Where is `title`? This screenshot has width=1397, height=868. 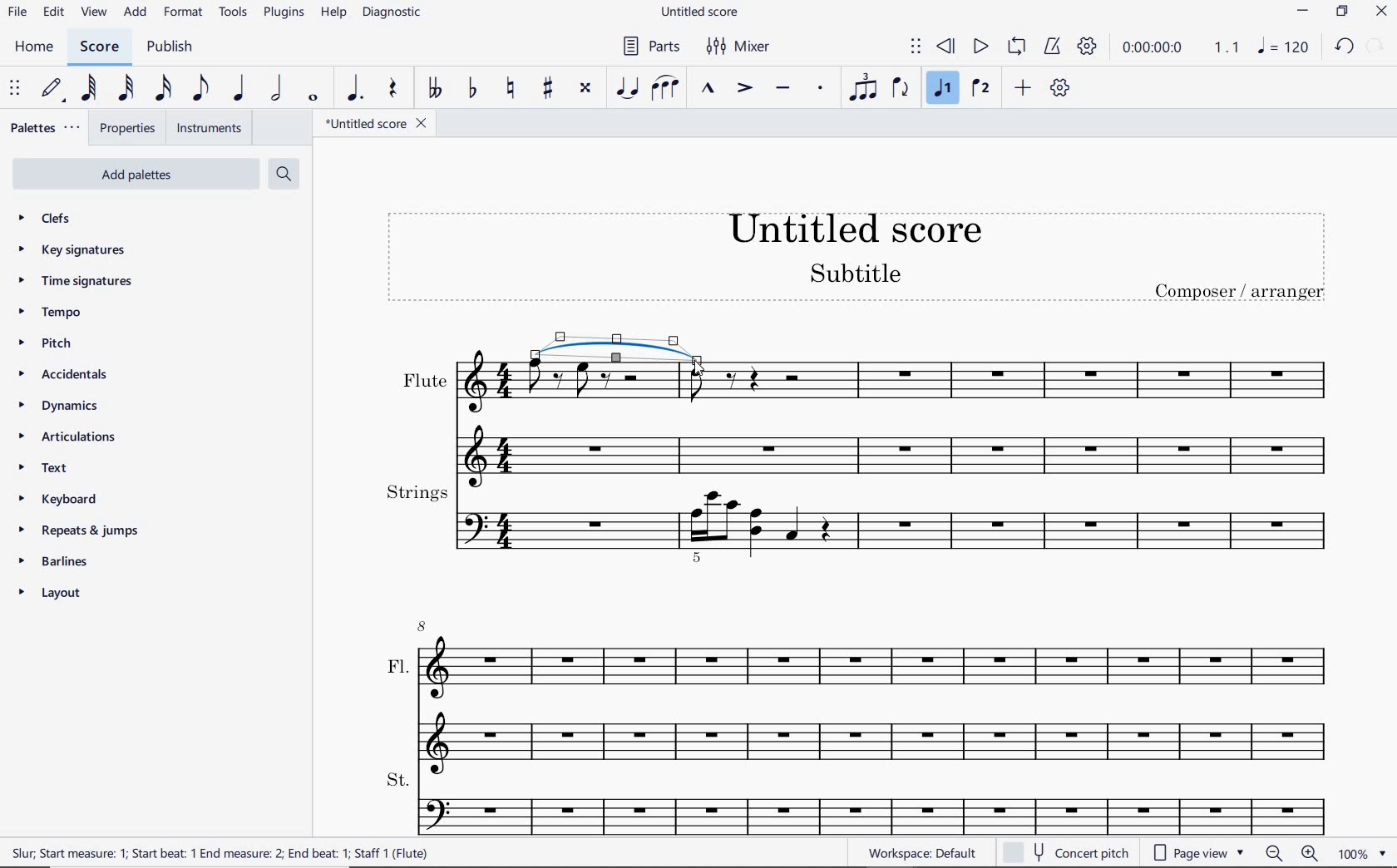 title is located at coordinates (856, 259).